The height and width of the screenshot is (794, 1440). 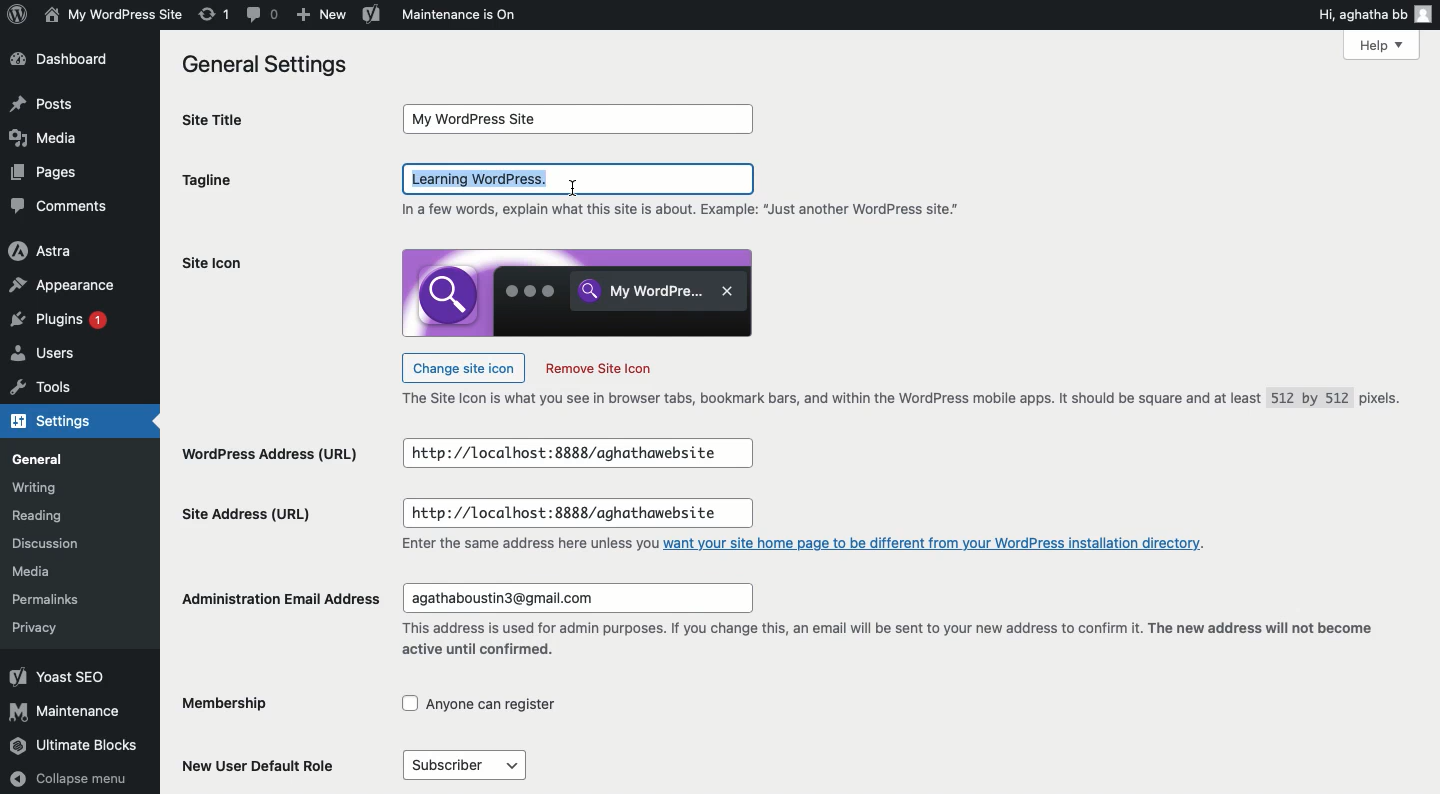 I want to click on Yoast, so click(x=57, y=676).